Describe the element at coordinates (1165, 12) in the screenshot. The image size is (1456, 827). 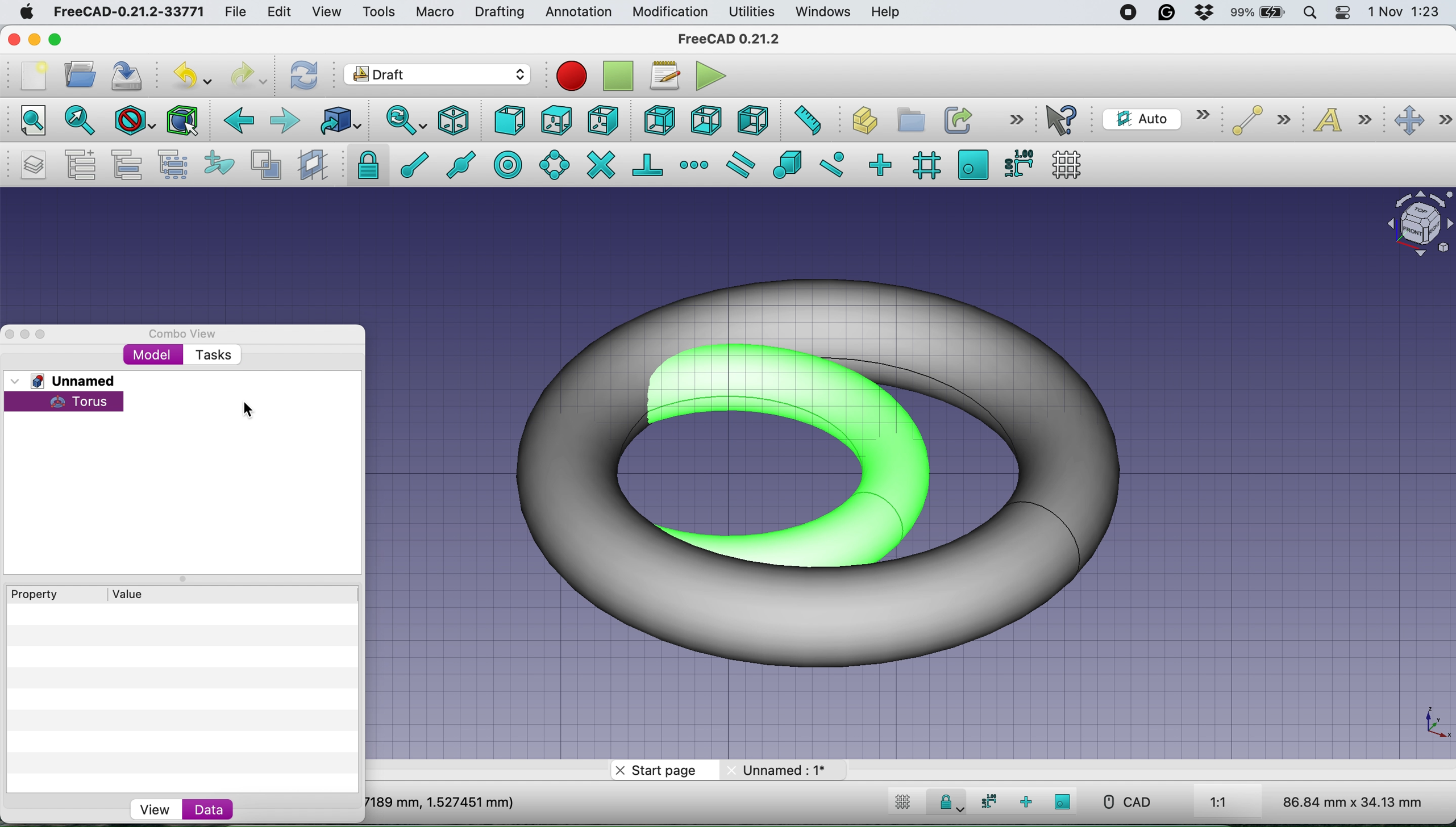
I see `grammarly` at that location.